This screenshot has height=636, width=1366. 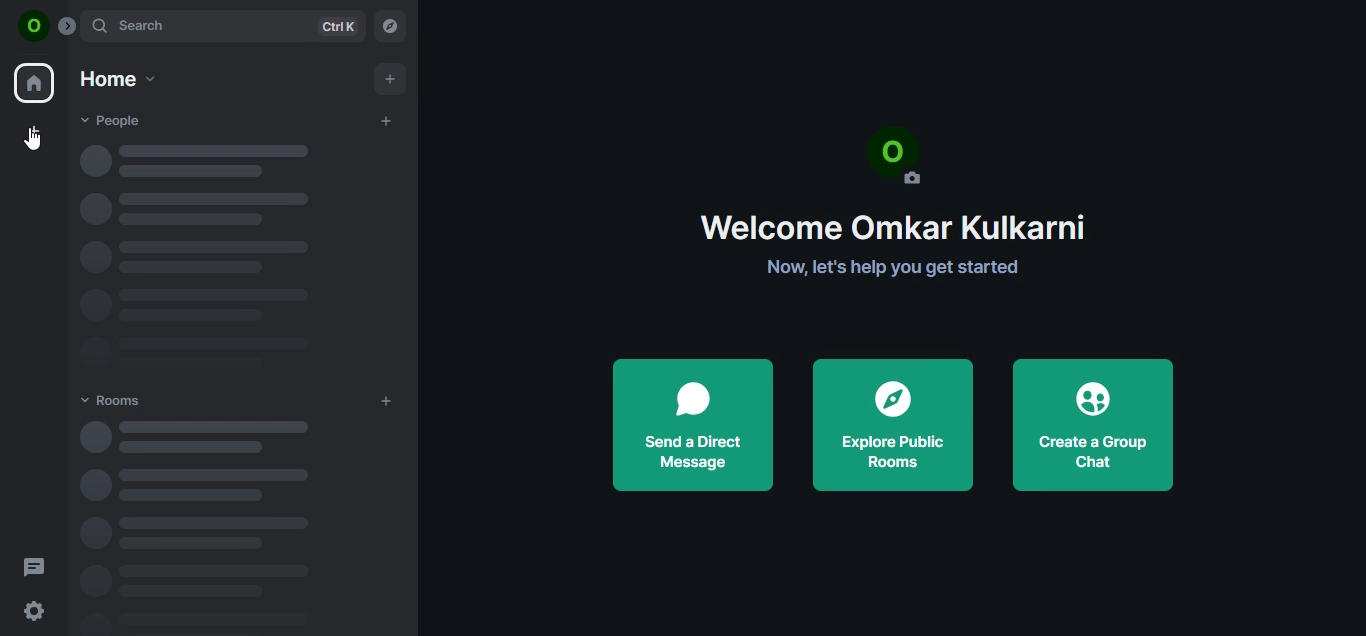 I want to click on create a group chat, so click(x=1097, y=424).